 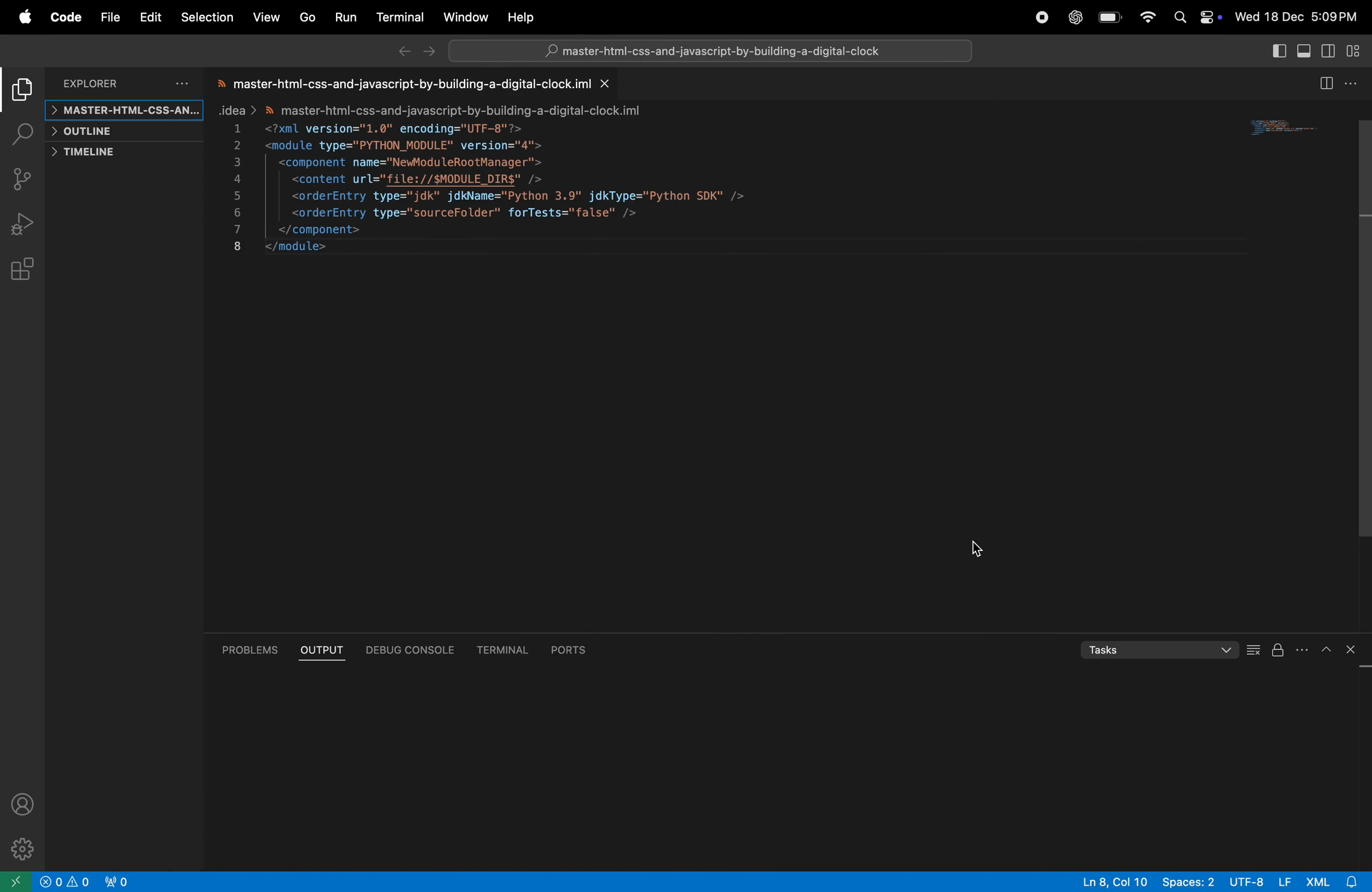 What do you see at coordinates (1330, 51) in the screenshot?
I see `toggle secondary side panel` at bounding box center [1330, 51].